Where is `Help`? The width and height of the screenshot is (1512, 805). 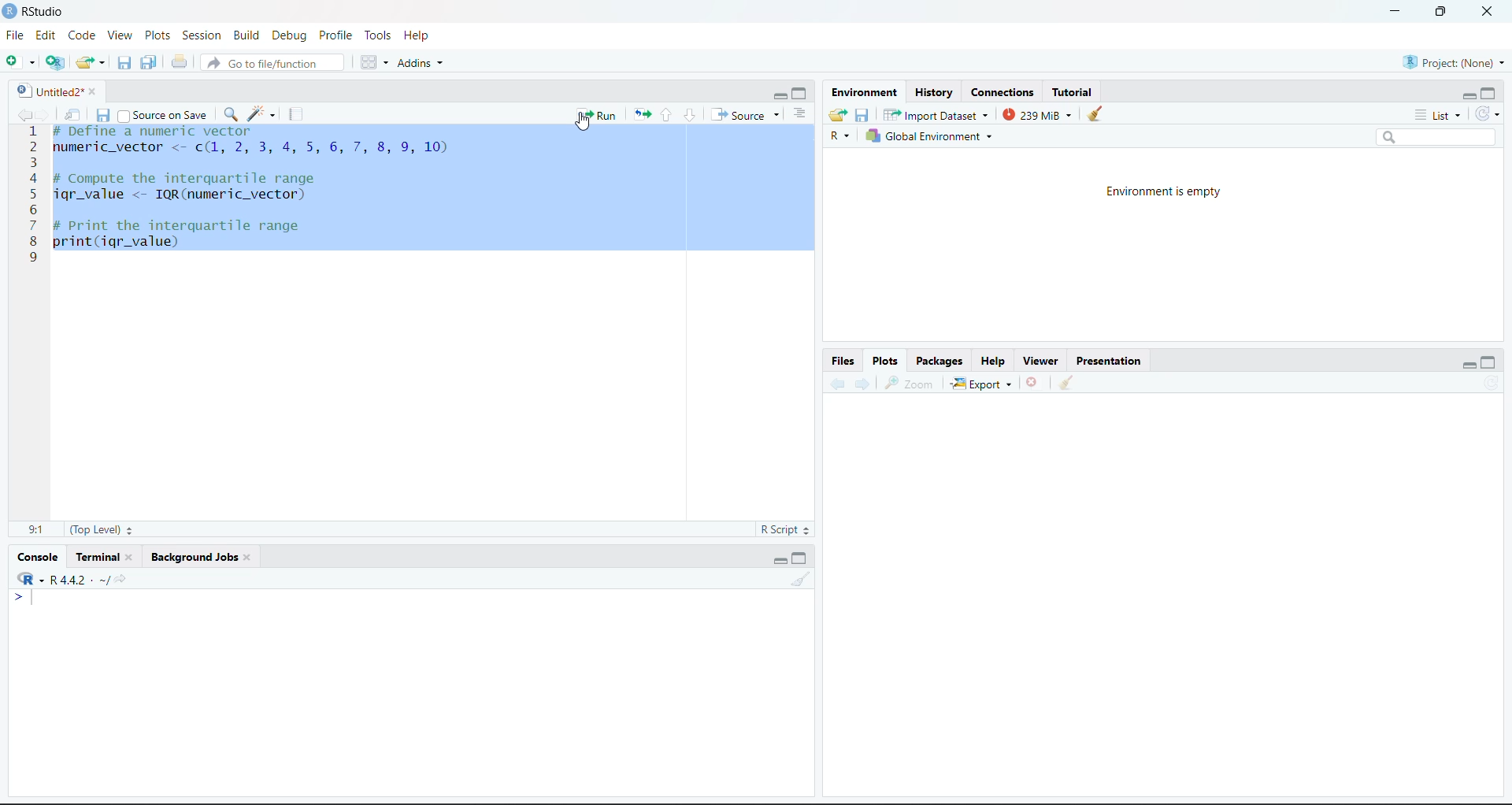 Help is located at coordinates (424, 36).